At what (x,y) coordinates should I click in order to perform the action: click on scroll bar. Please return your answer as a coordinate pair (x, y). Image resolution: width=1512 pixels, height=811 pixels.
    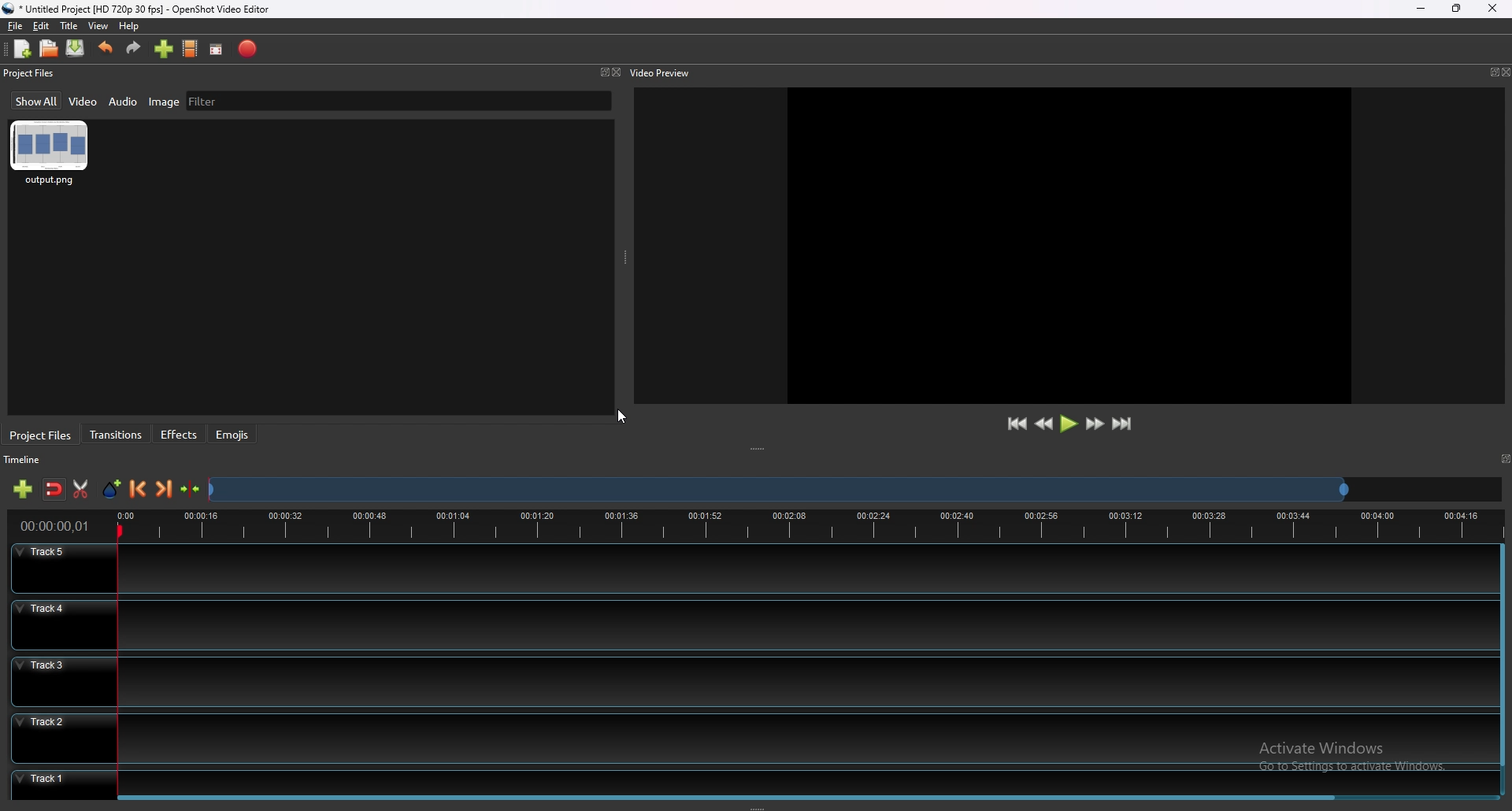
    Looking at the image, I should click on (733, 799).